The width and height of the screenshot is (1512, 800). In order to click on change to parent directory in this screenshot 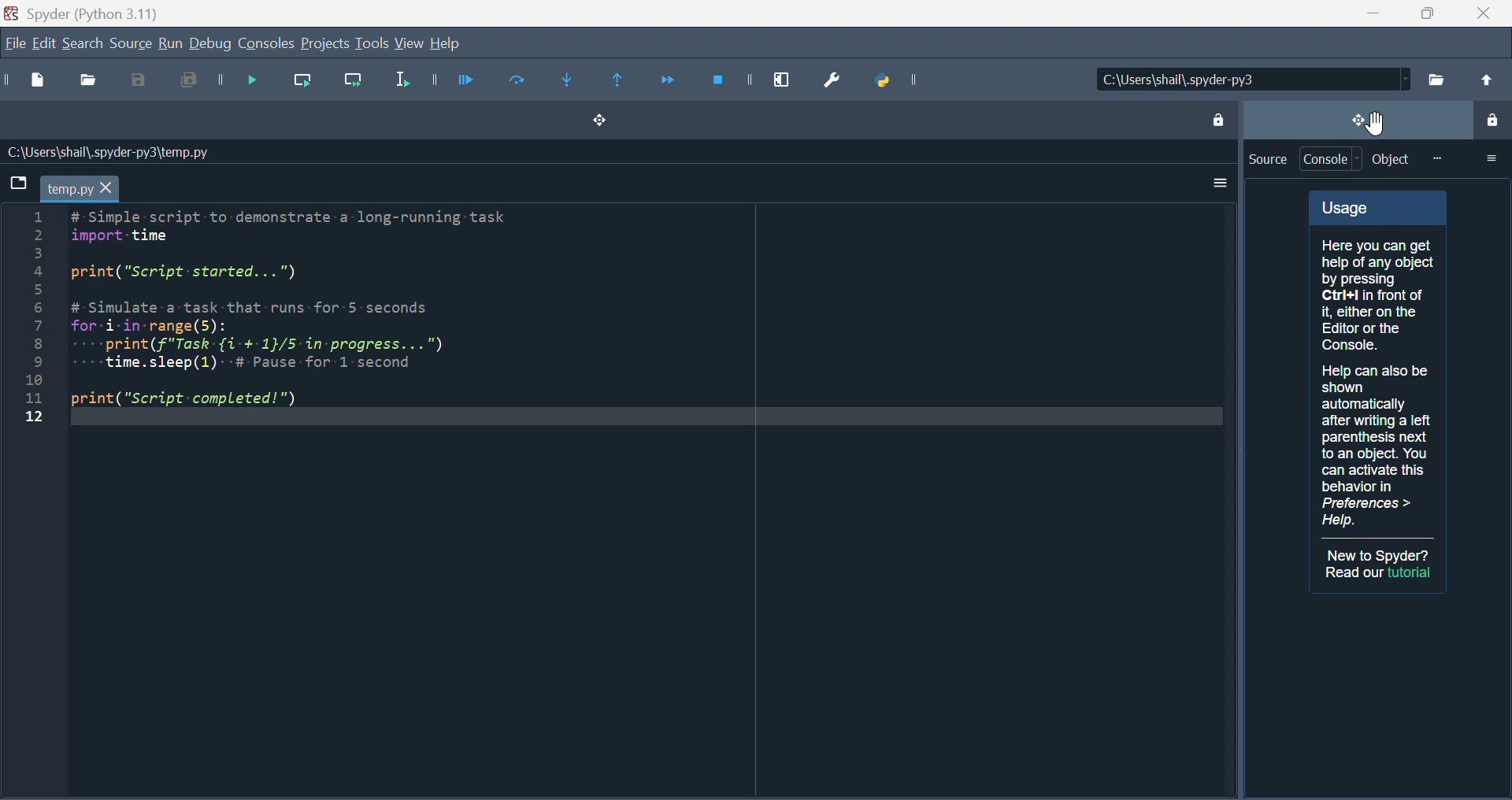, I will do `click(1485, 80)`.